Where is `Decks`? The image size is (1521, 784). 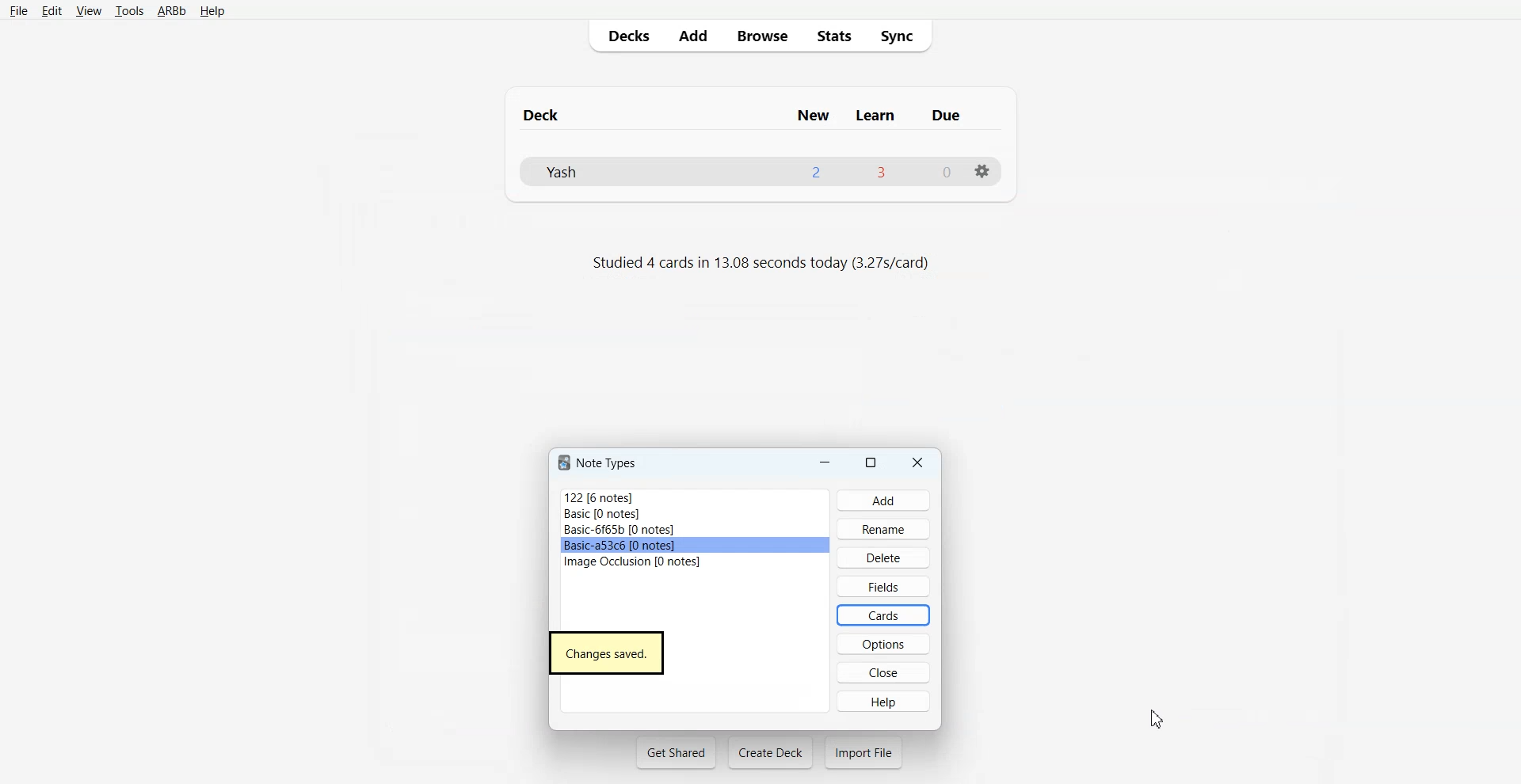 Decks is located at coordinates (625, 36).